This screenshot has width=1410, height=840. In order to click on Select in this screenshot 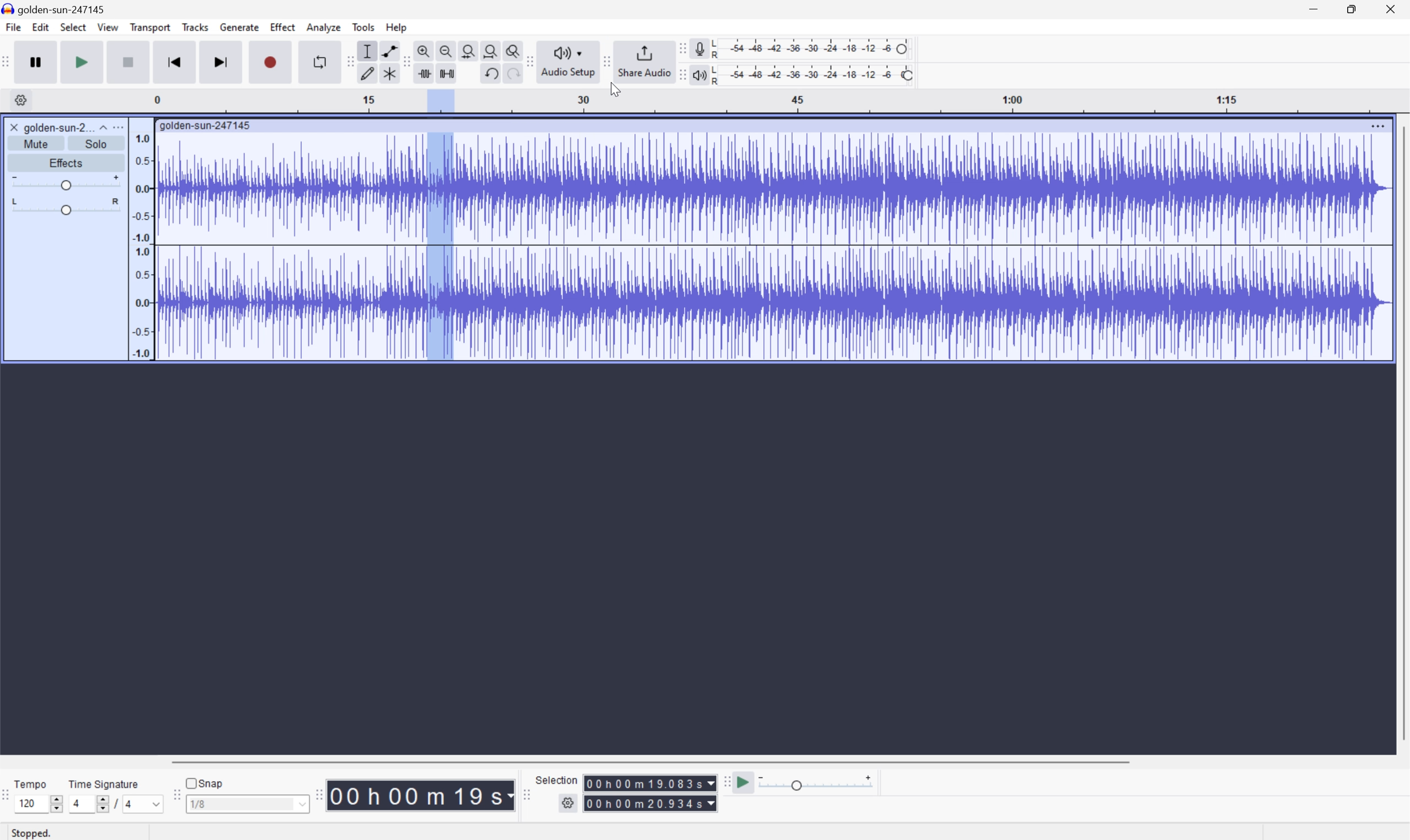, I will do `click(73, 28)`.